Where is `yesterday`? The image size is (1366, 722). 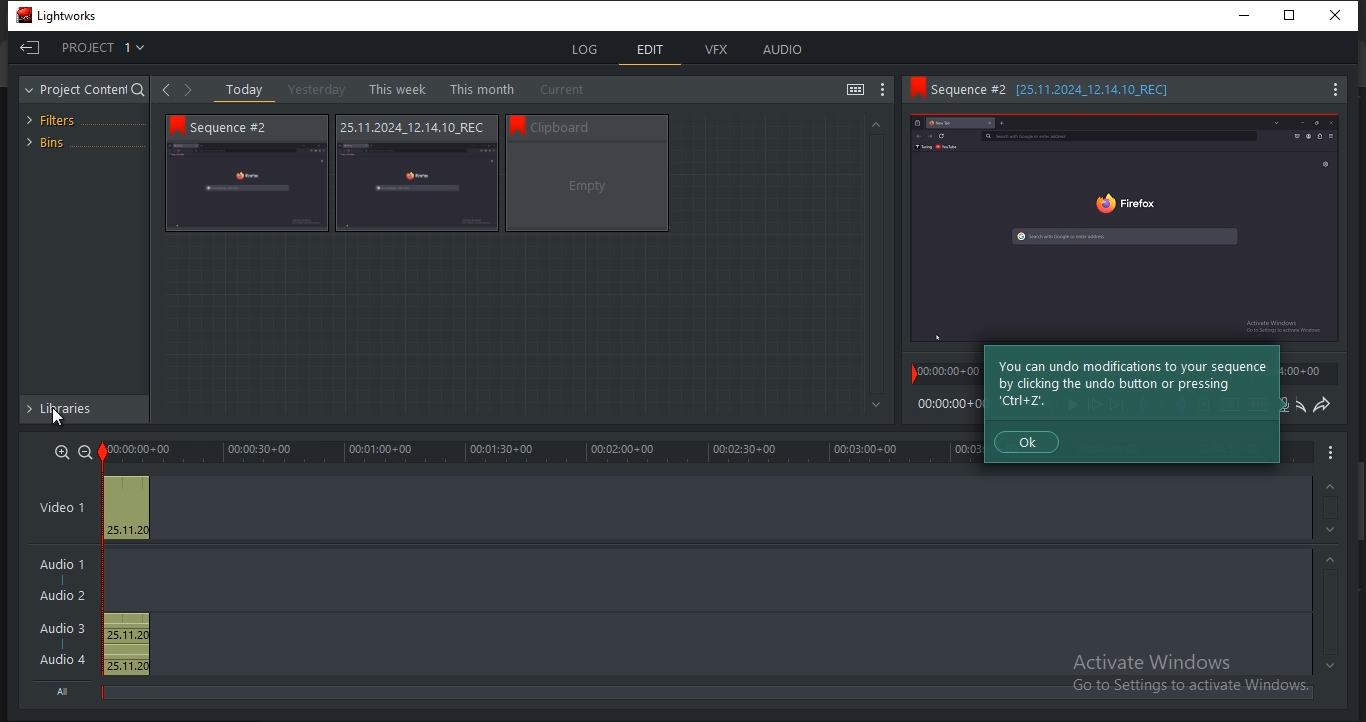 yesterday is located at coordinates (316, 89).